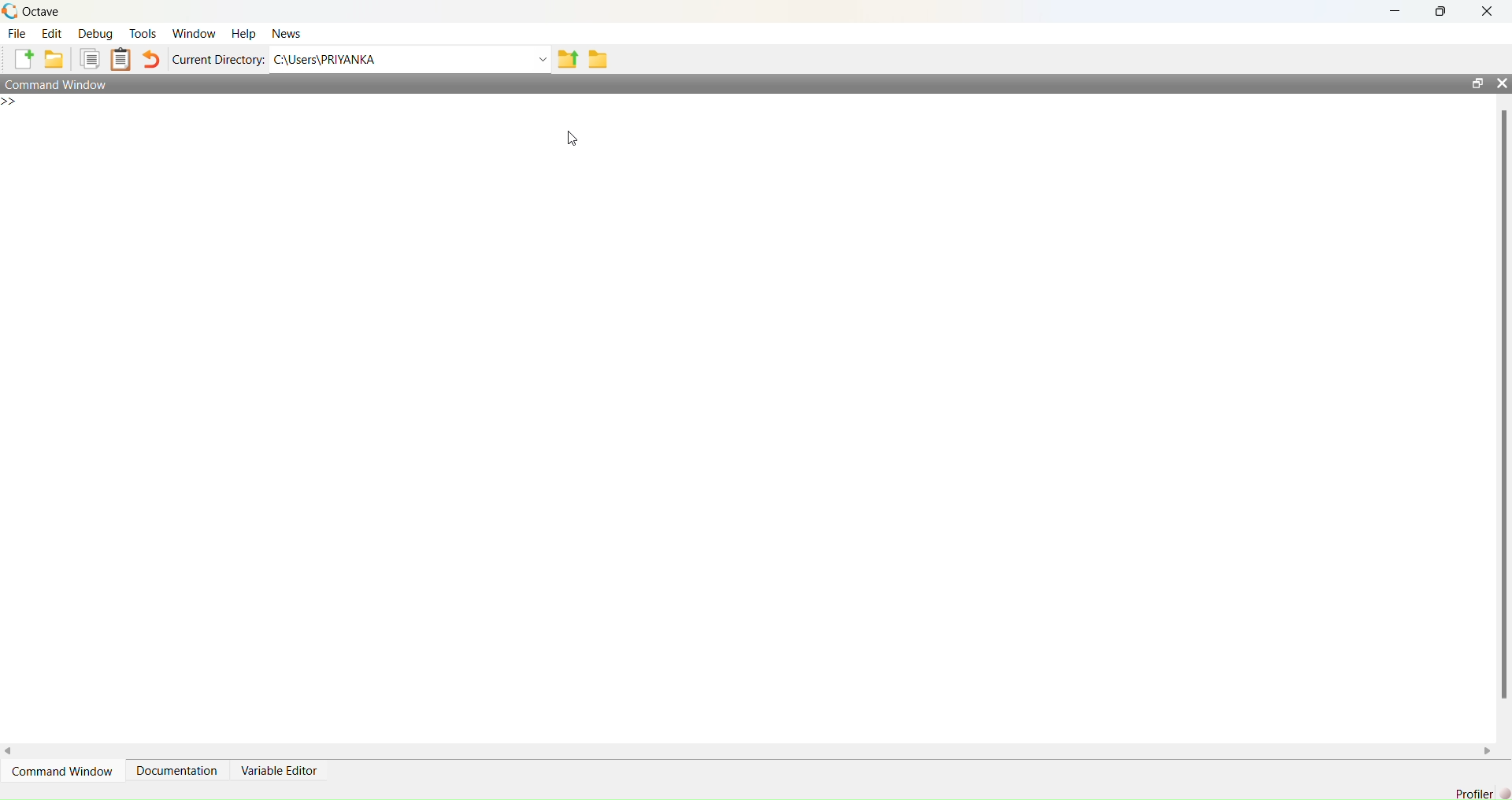 The height and width of the screenshot is (800, 1512). What do you see at coordinates (1443, 10) in the screenshot?
I see `maximise` at bounding box center [1443, 10].